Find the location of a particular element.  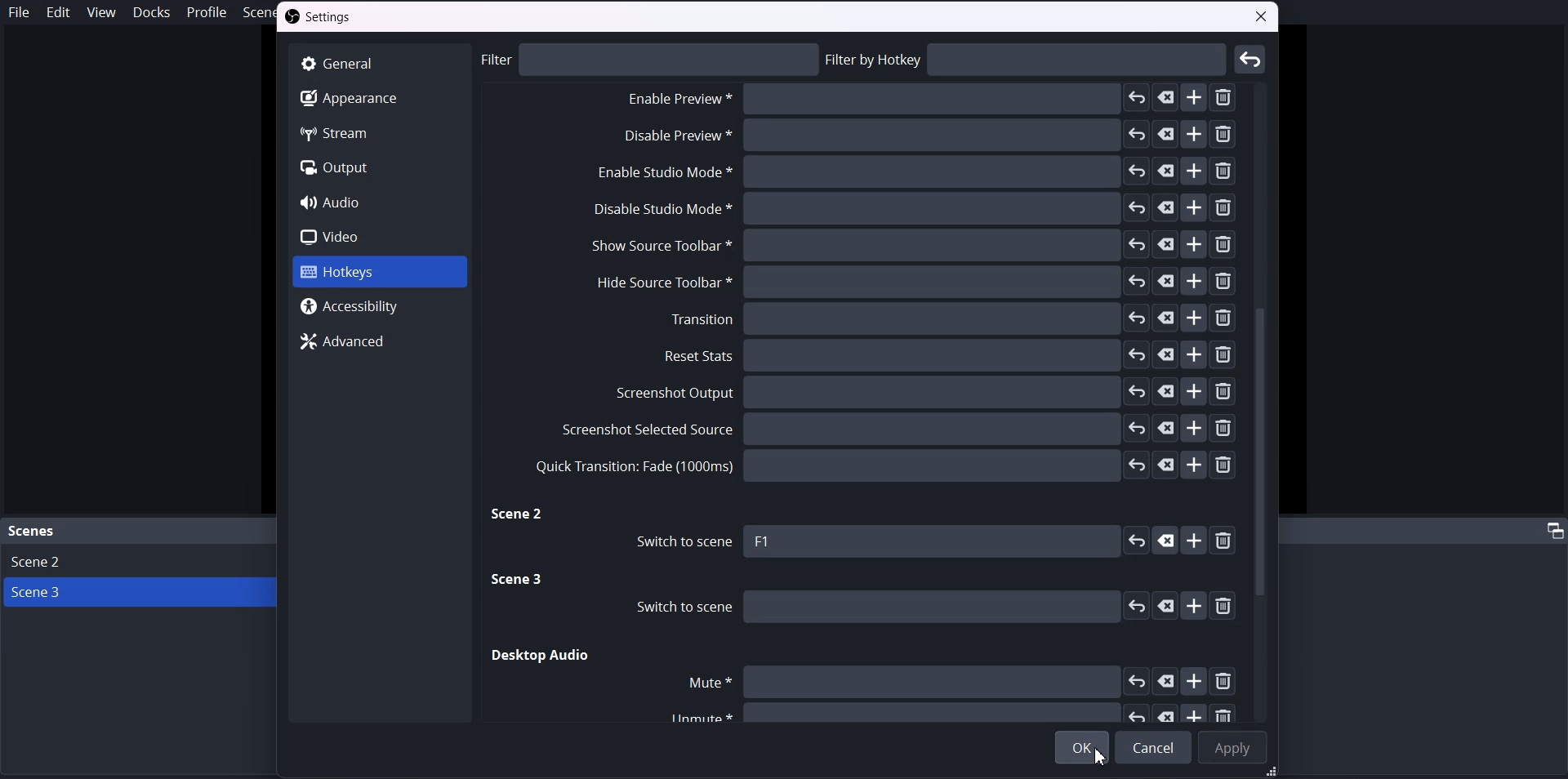

Vertical scroll bar is located at coordinates (1263, 400).